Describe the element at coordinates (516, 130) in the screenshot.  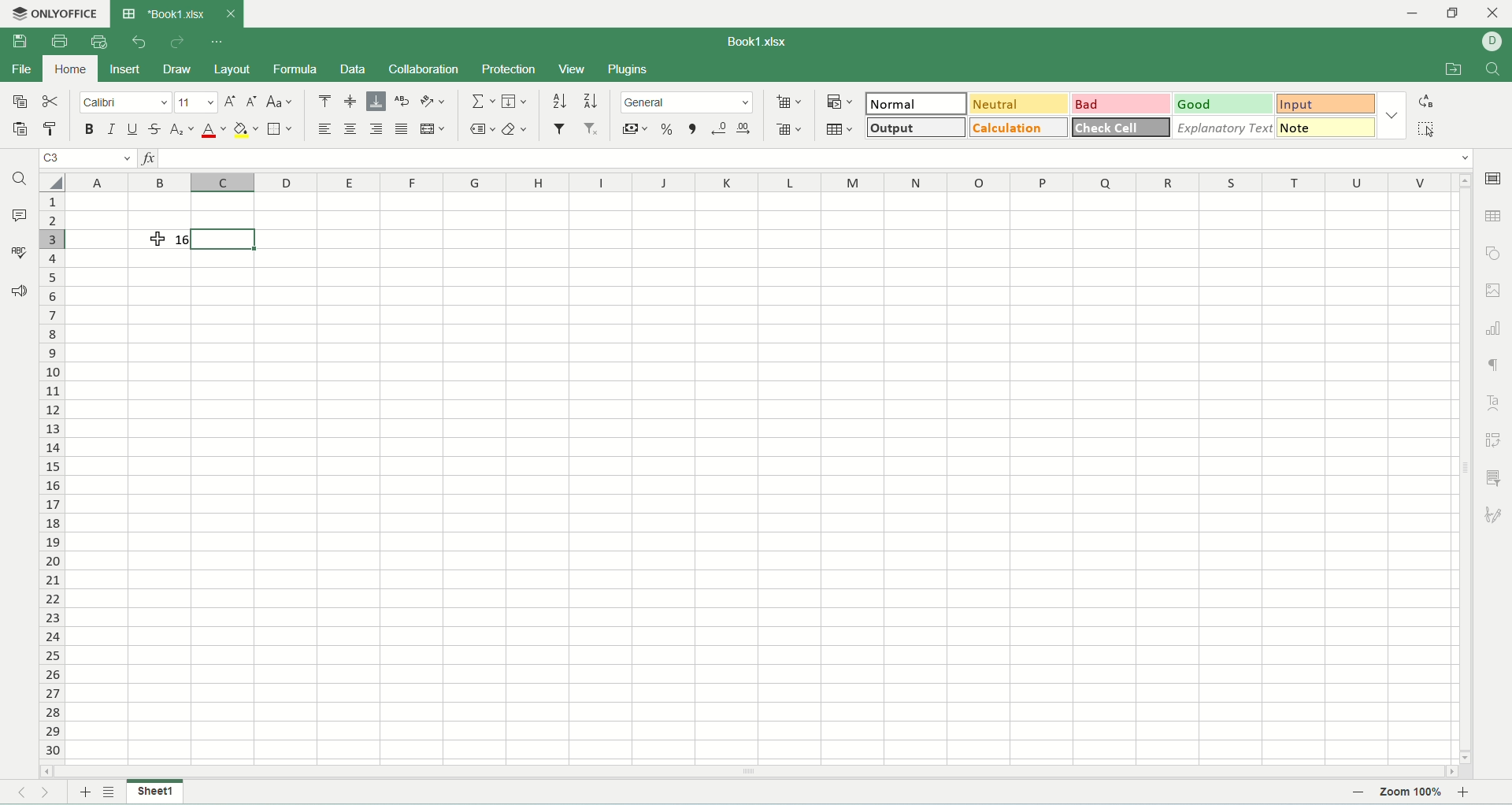
I see `clear` at that location.